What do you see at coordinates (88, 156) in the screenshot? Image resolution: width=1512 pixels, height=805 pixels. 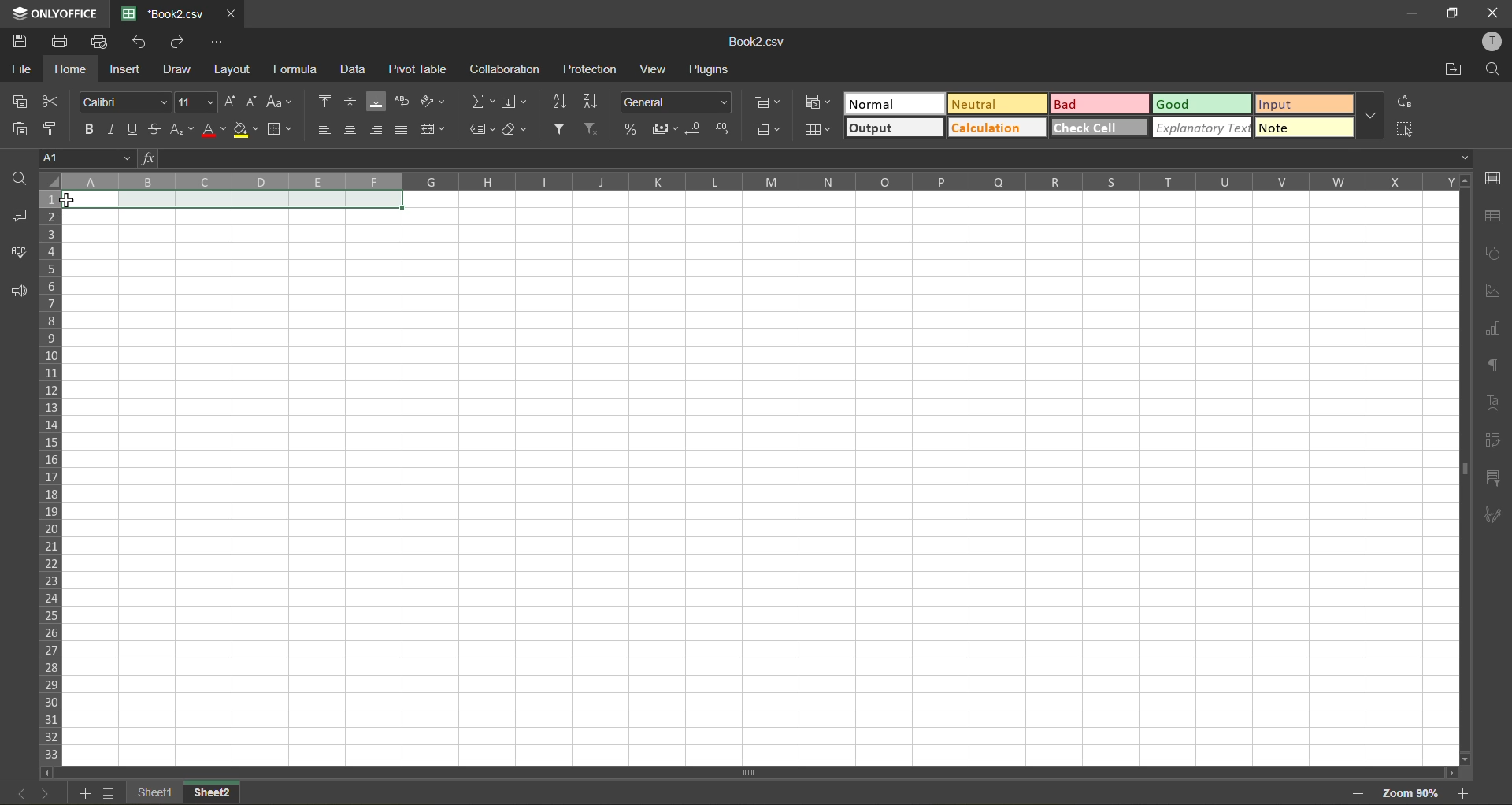 I see `cell address` at bounding box center [88, 156].